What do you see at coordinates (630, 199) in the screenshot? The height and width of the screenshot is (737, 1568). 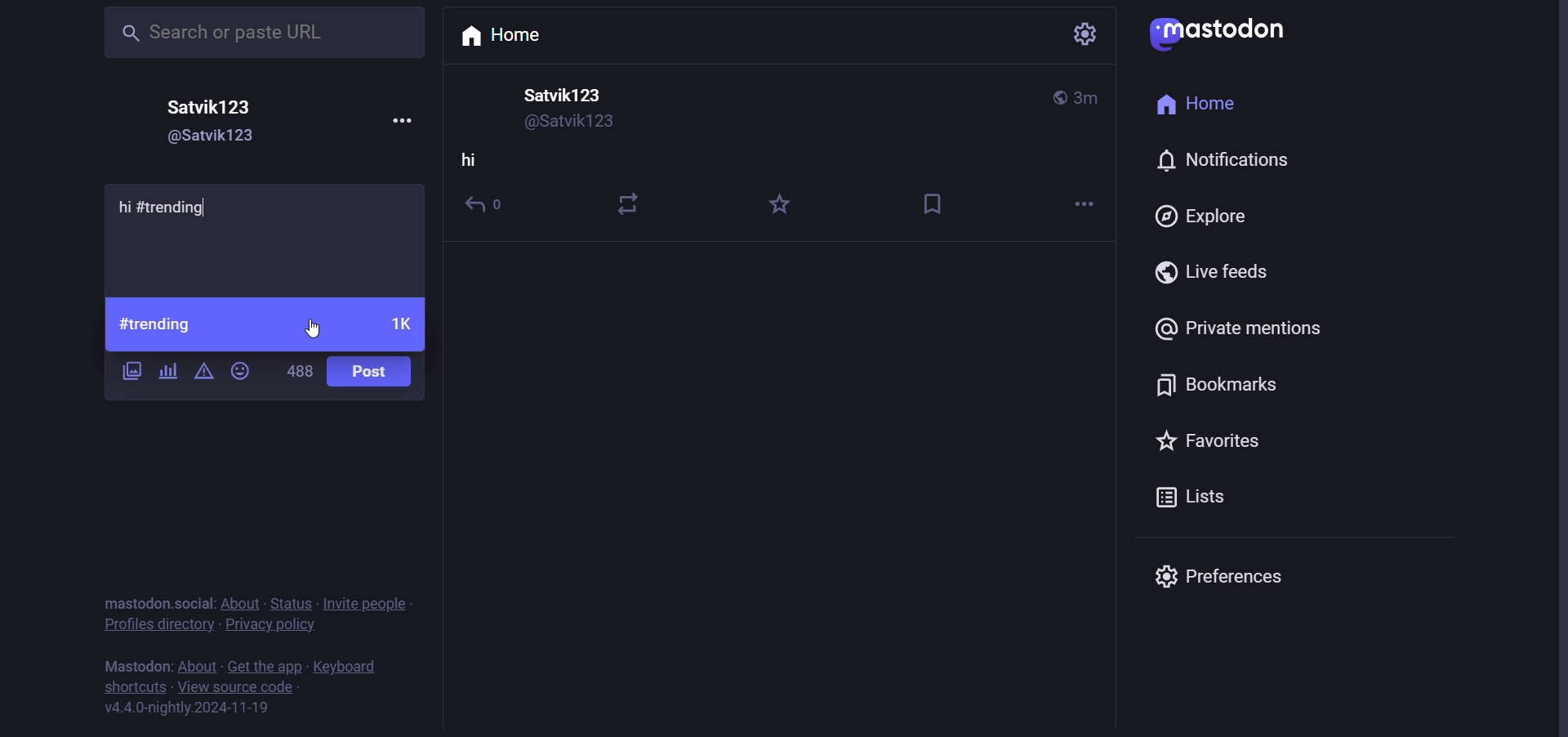 I see `boost` at bounding box center [630, 199].